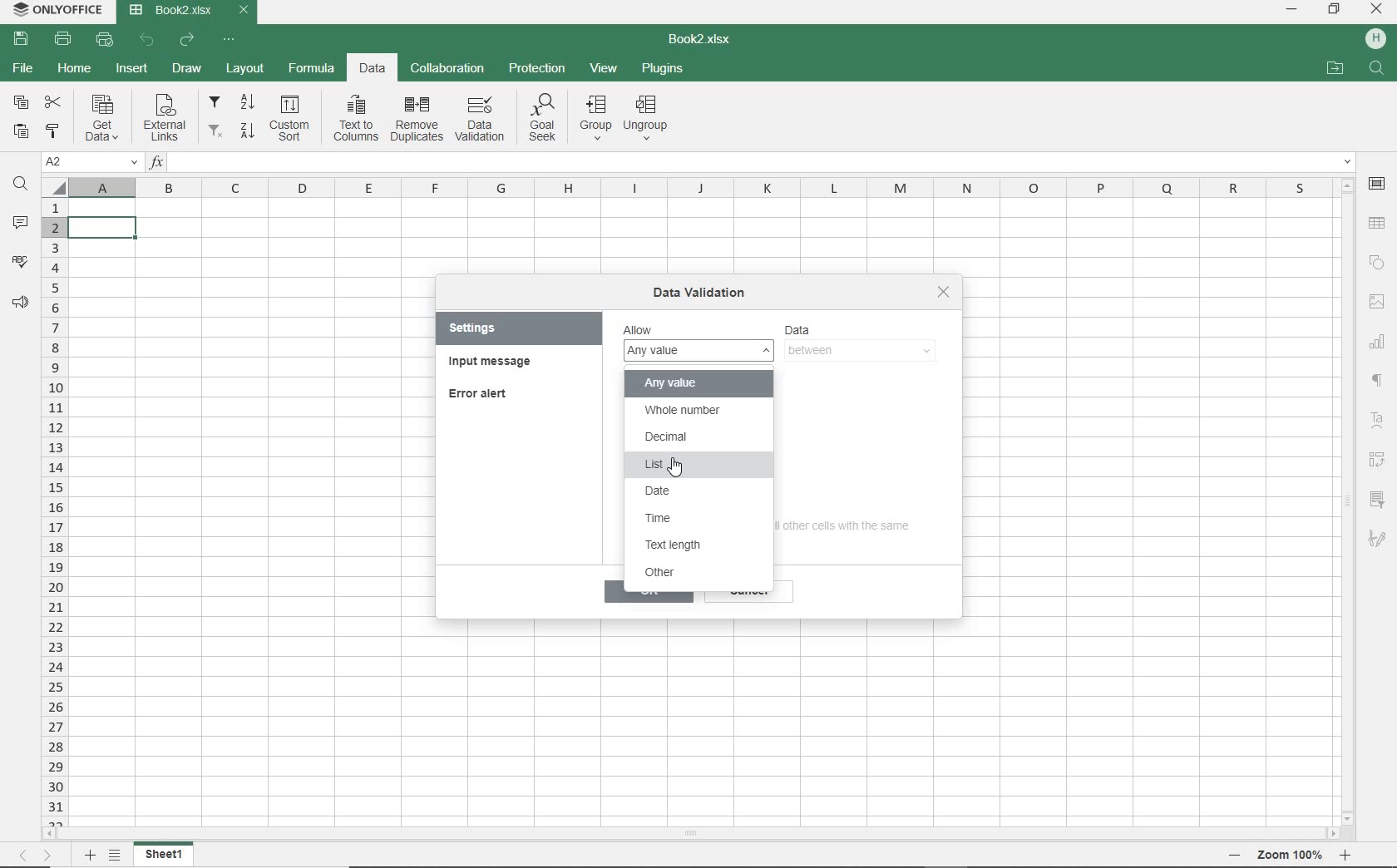  I want to click on QUICK PRINT, so click(102, 37).